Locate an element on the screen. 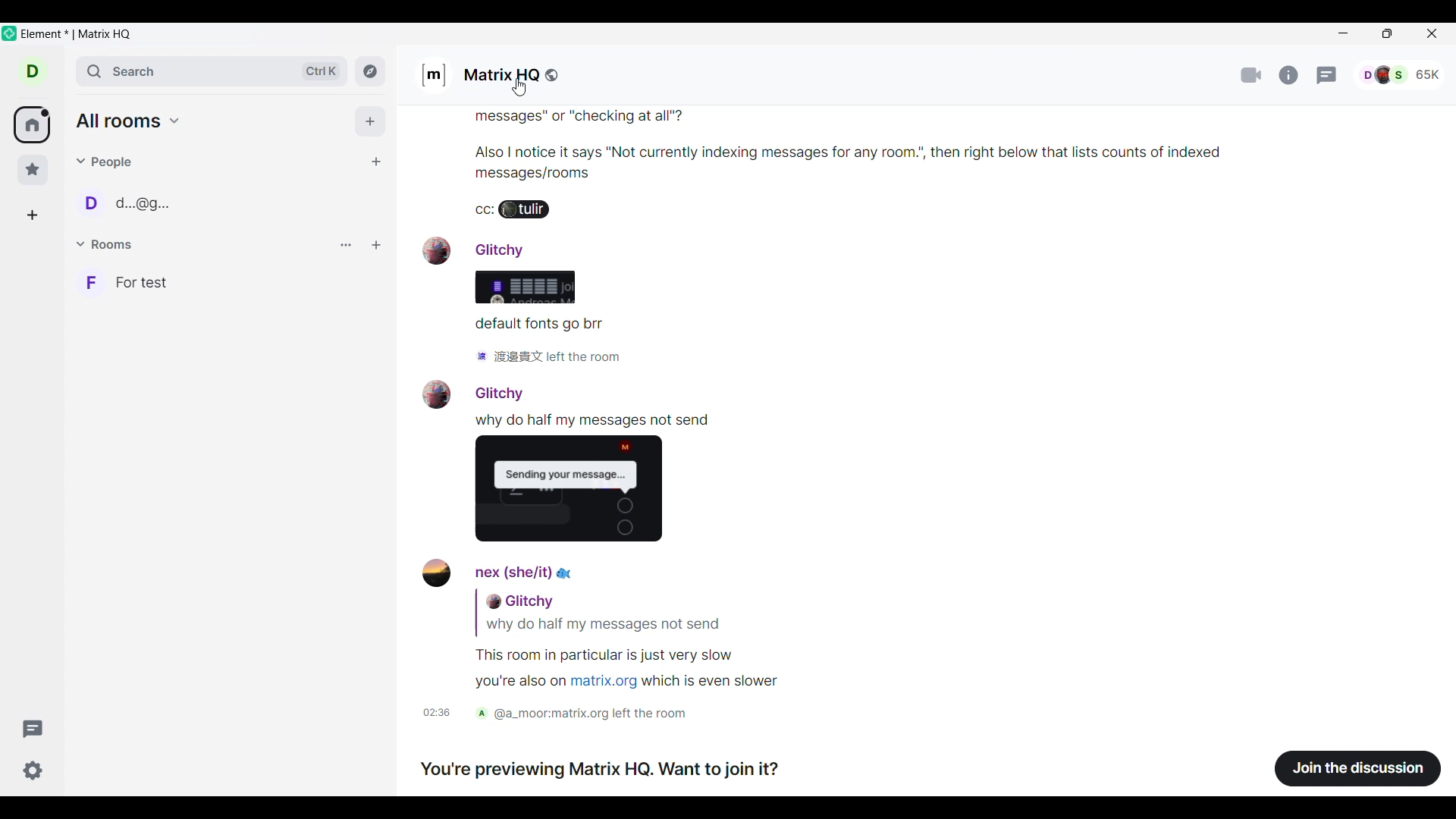 This screenshot has width=1456, height=819. number of people in the room is located at coordinates (1398, 73).